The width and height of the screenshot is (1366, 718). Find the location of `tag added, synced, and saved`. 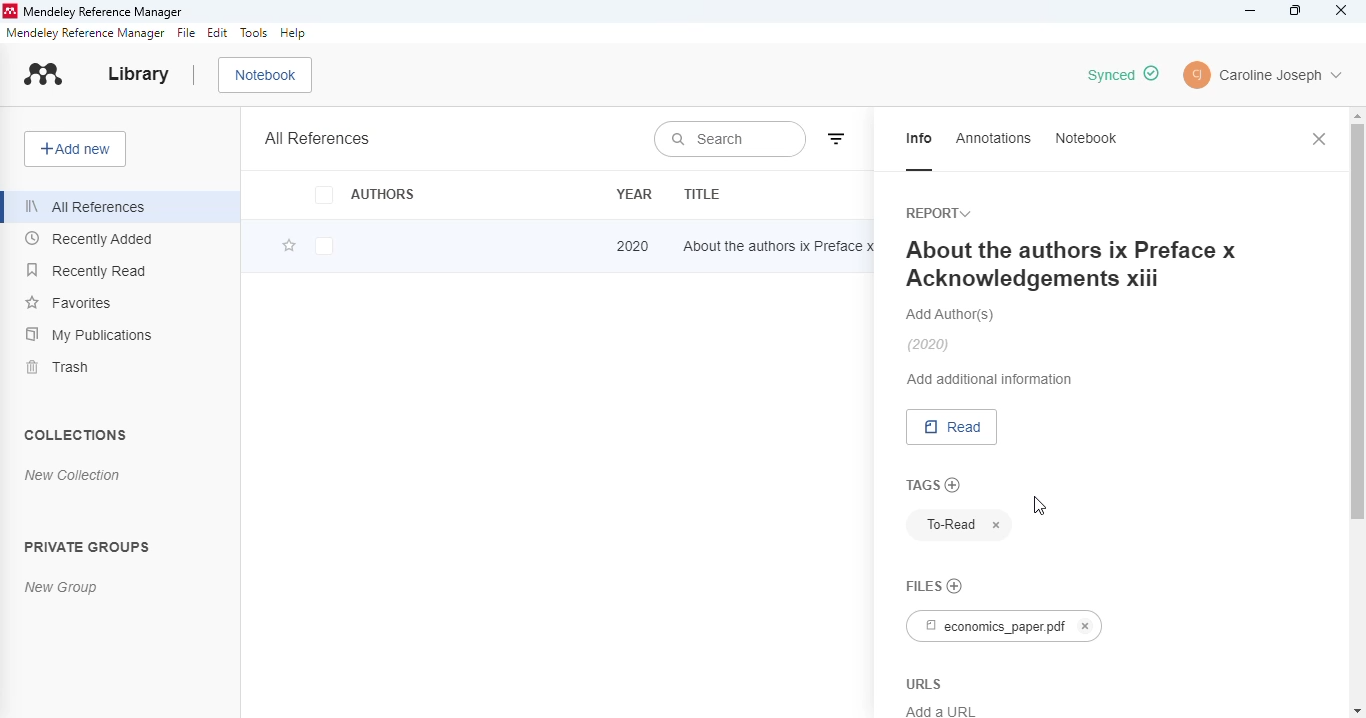

tag added, synced, and saved is located at coordinates (1122, 75).